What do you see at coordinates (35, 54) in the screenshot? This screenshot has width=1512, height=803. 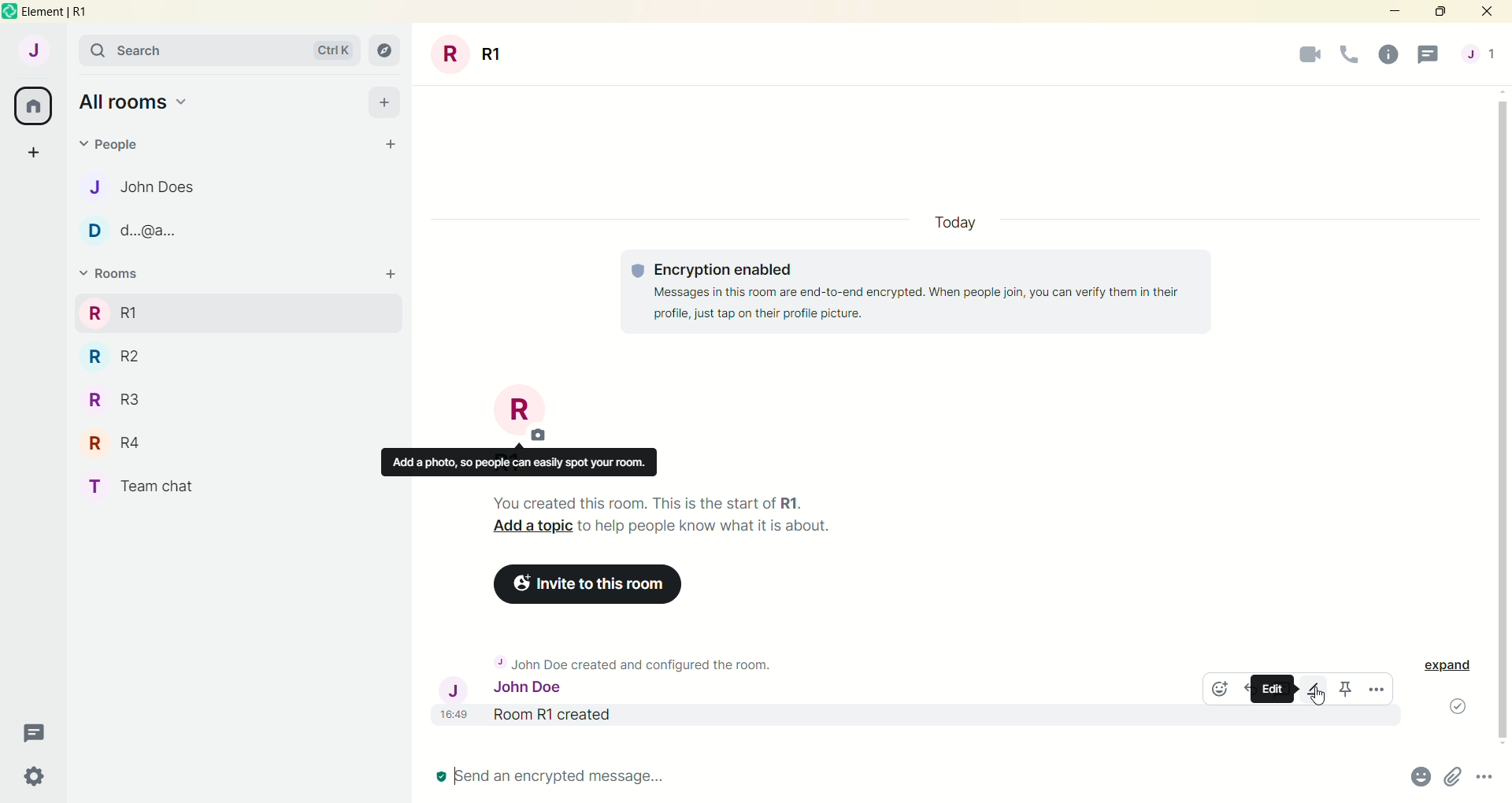 I see `account` at bounding box center [35, 54].